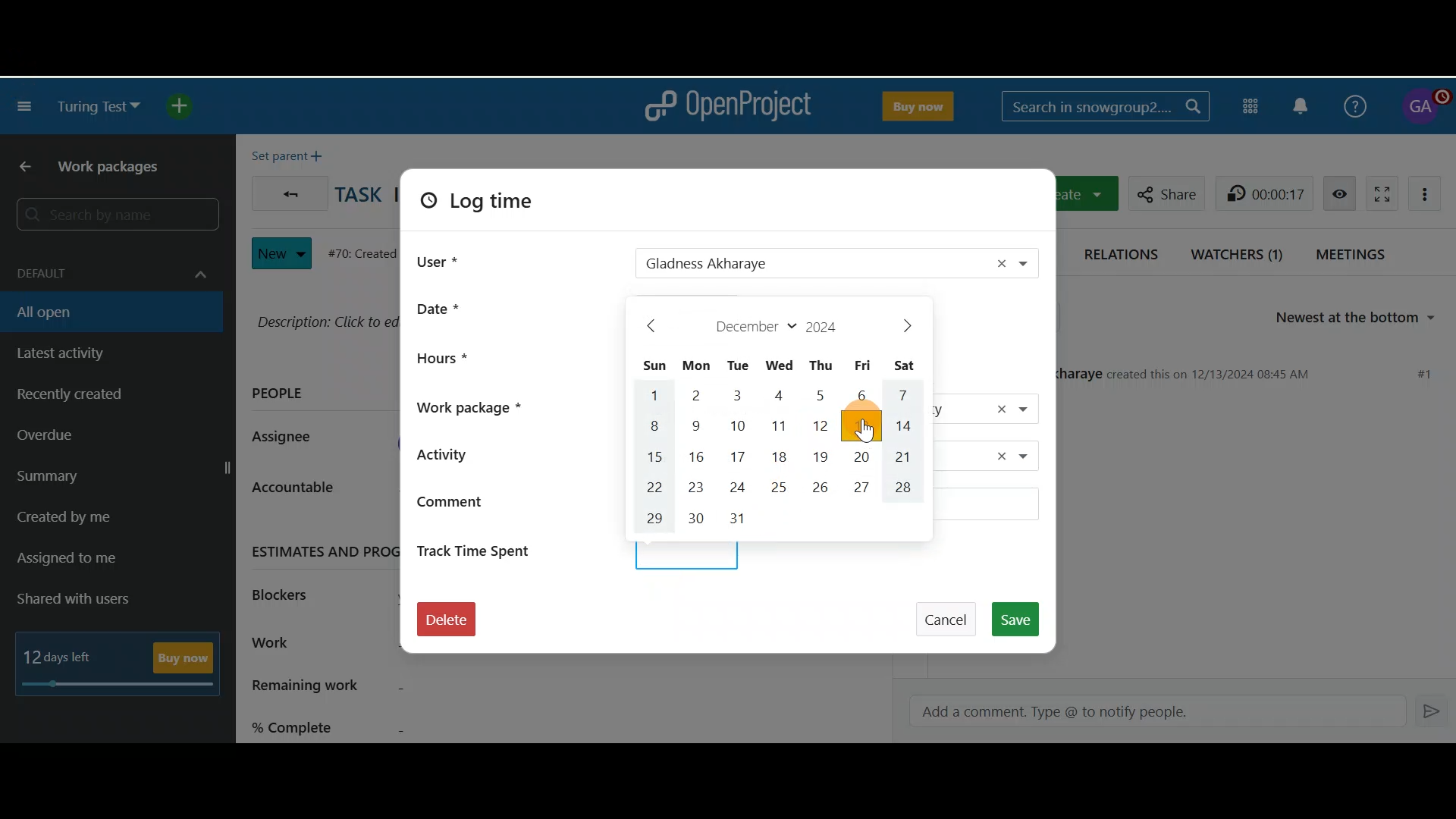 The image size is (1456, 819). What do you see at coordinates (1103, 106) in the screenshot?
I see `Search in snowgroup2.. ` at bounding box center [1103, 106].